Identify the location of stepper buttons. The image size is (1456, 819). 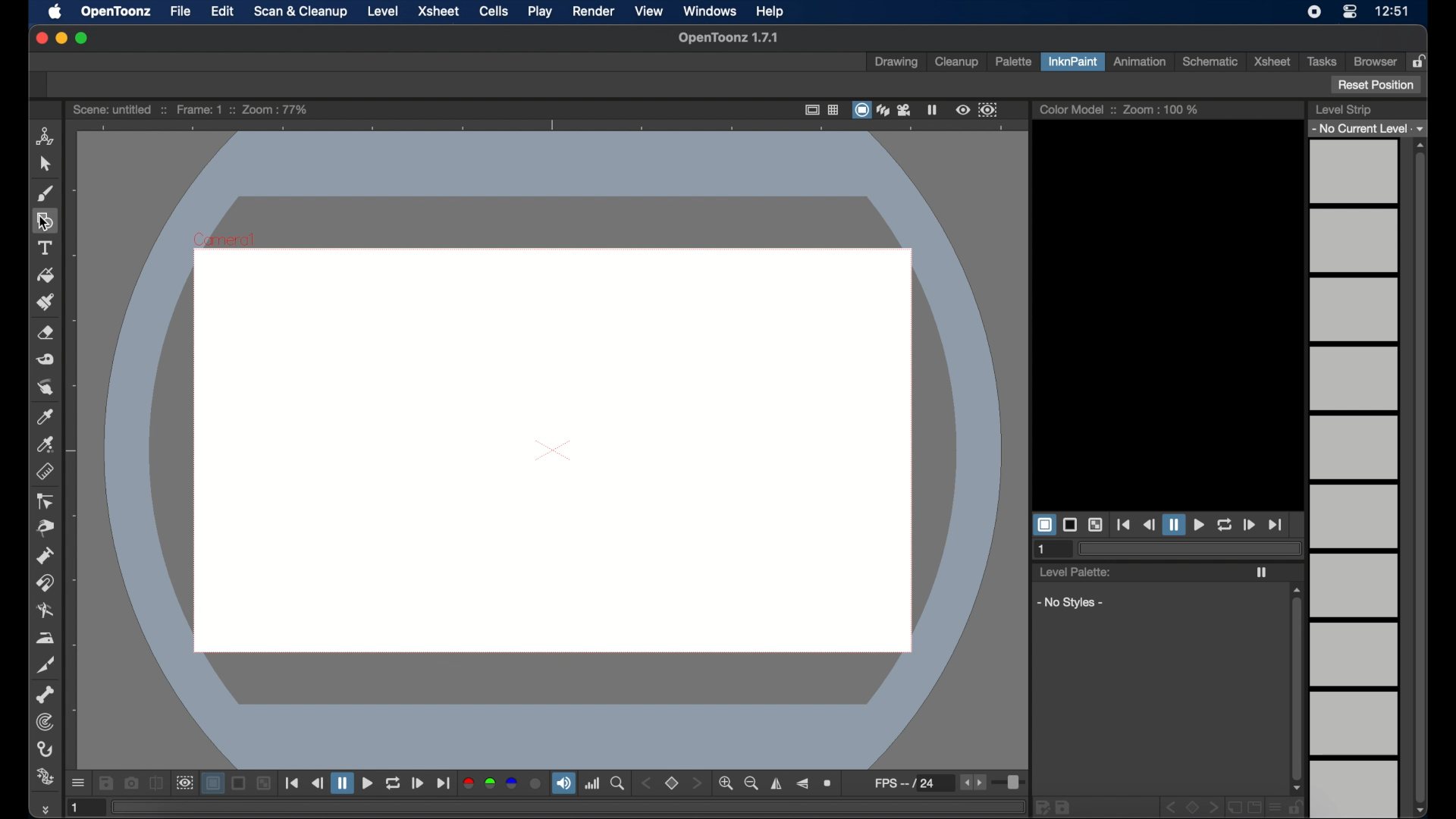
(972, 782).